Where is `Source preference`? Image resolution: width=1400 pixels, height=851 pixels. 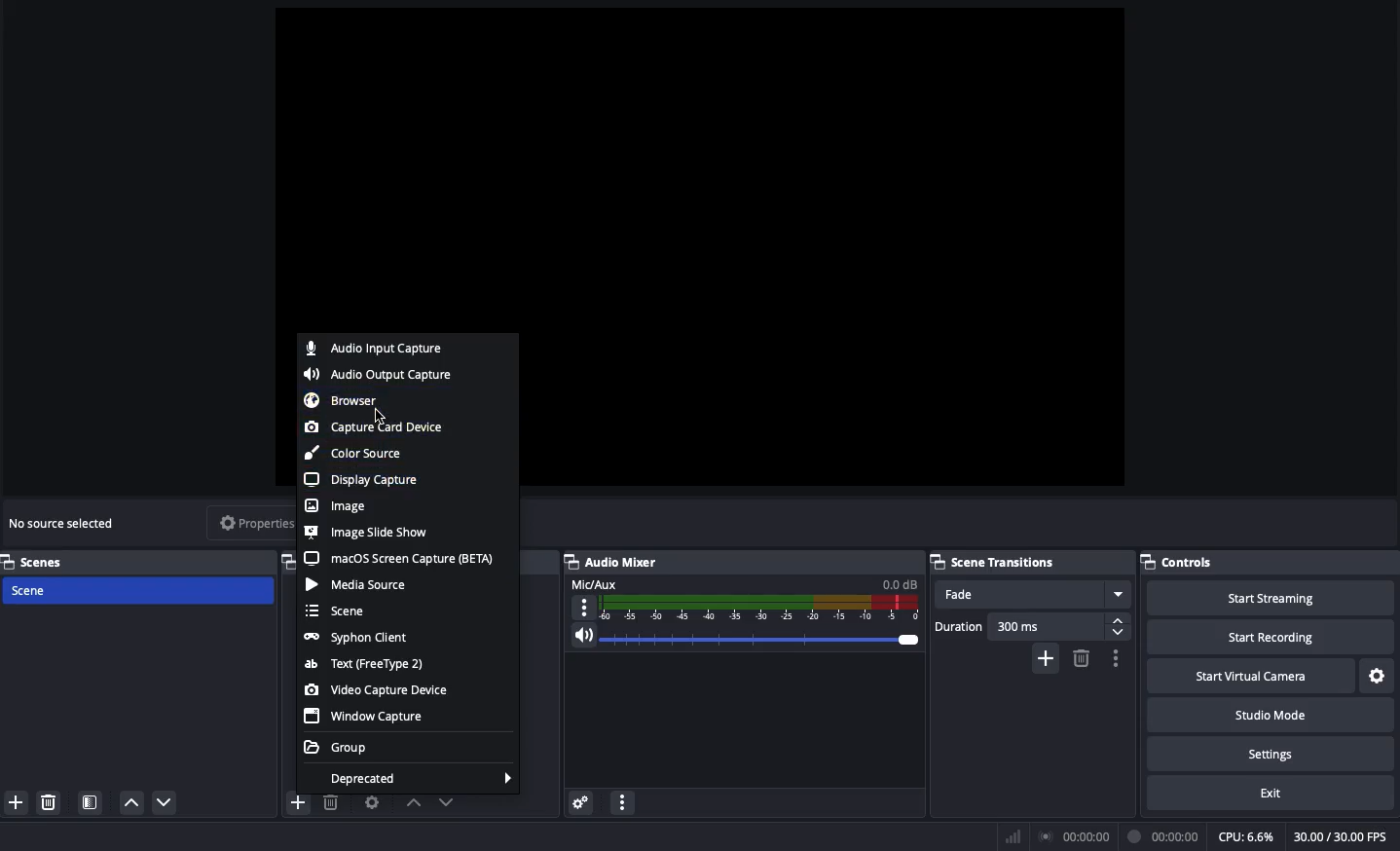
Source preference is located at coordinates (373, 801).